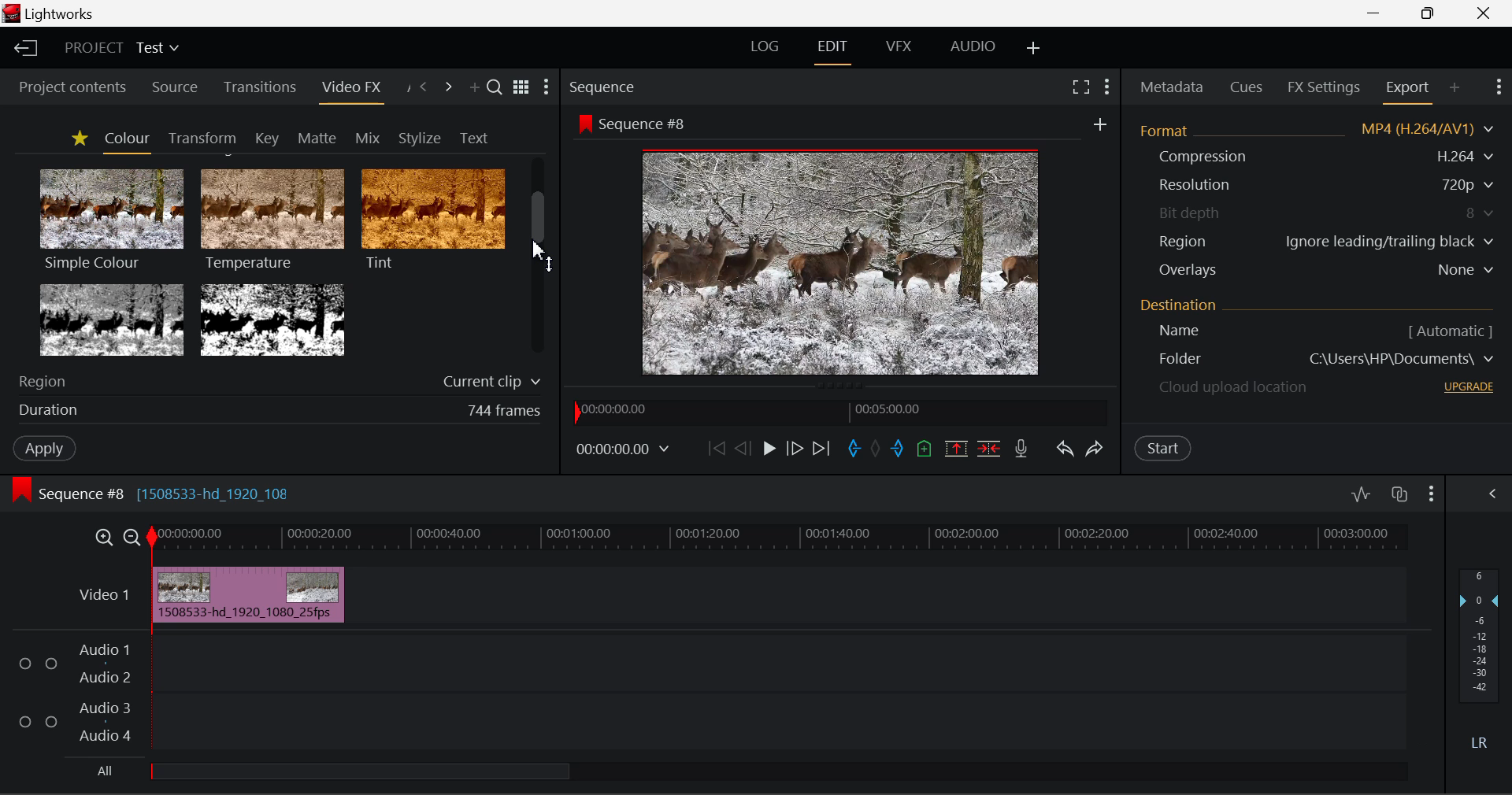  Describe the element at coordinates (1098, 449) in the screenshot. I see `Redo` at that location.